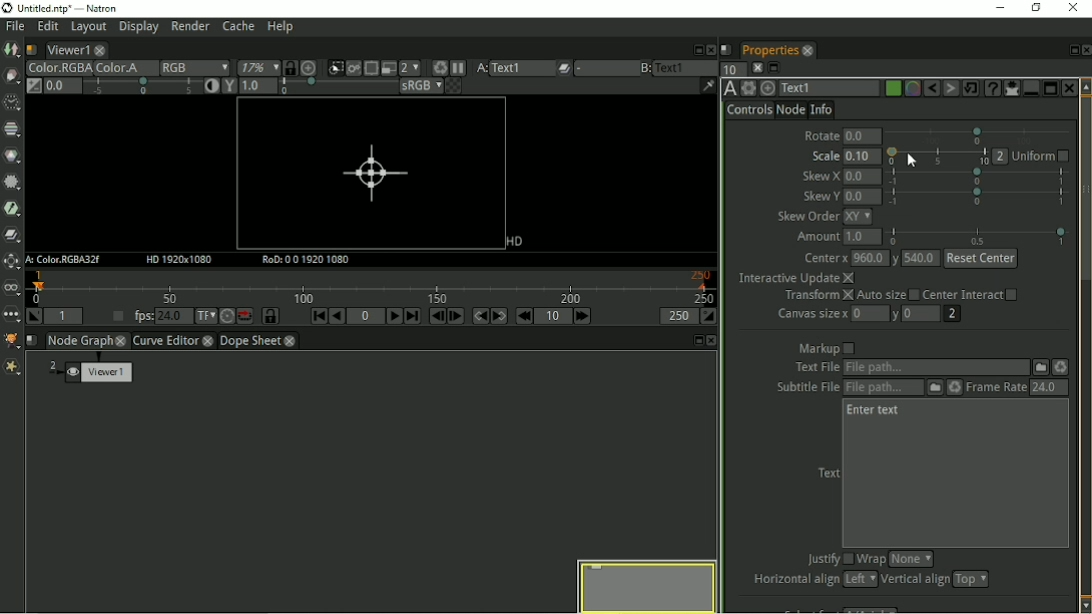  I want to click on Layout, so click(87, 28).